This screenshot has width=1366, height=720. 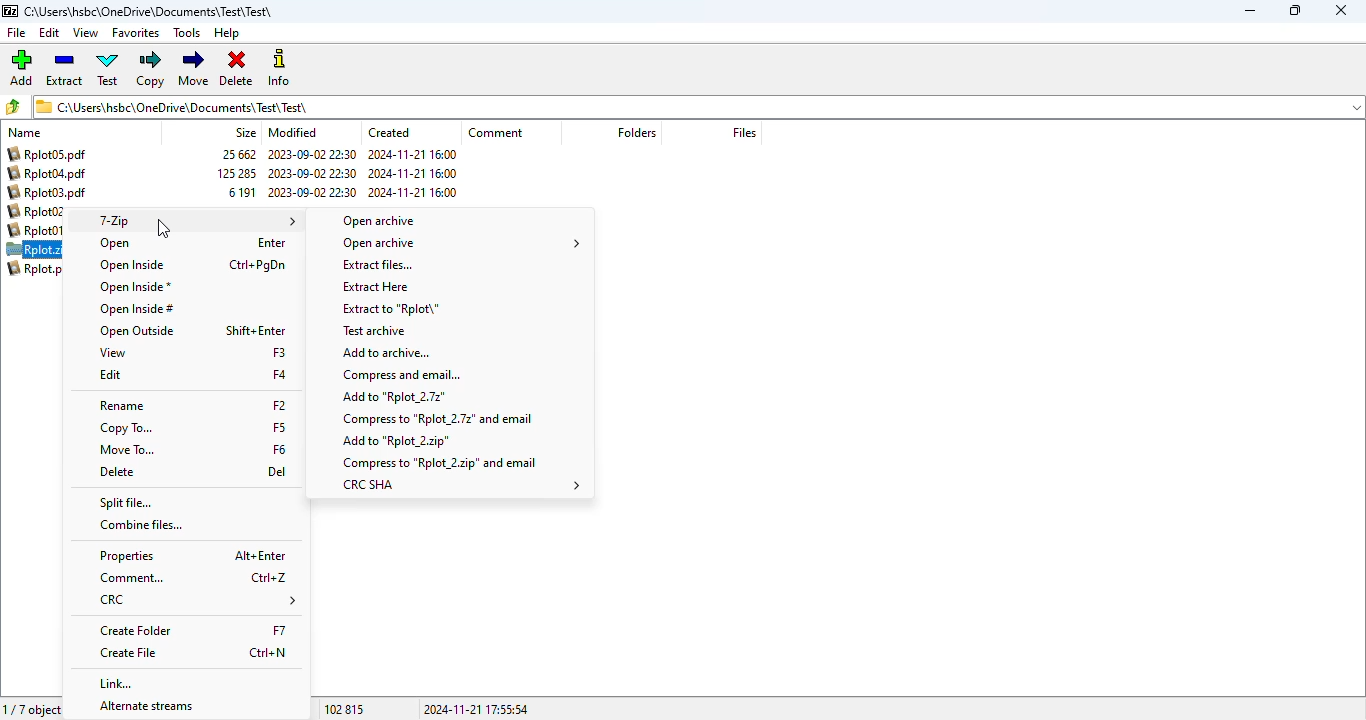 What do you see at coordinates (163, 229) in the screenshot?
I see `cursor` at bounding box center [163, 229].